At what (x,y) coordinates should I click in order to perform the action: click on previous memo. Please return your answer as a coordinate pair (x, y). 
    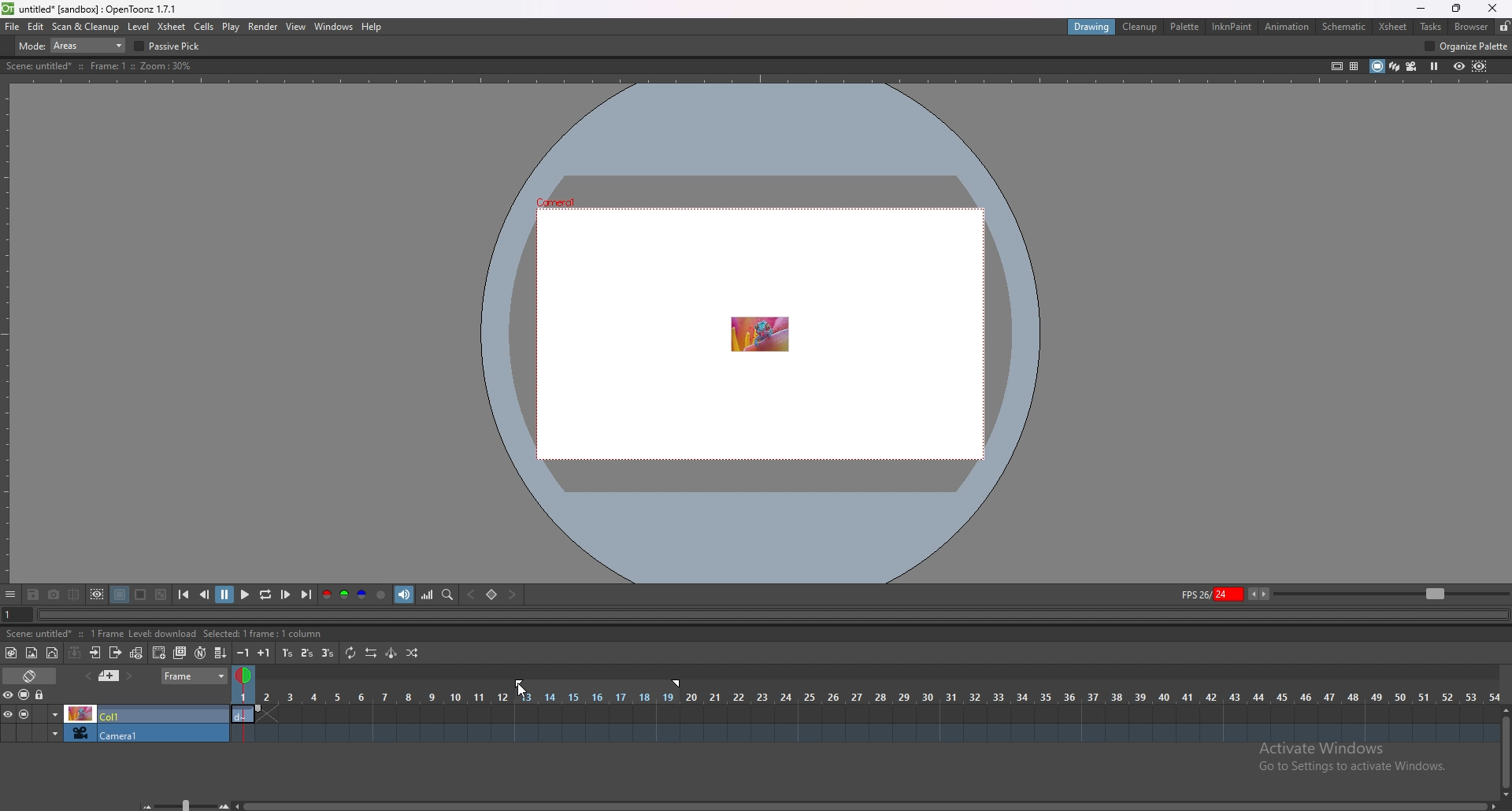
    Looking at the image, I should click on (109, 676).